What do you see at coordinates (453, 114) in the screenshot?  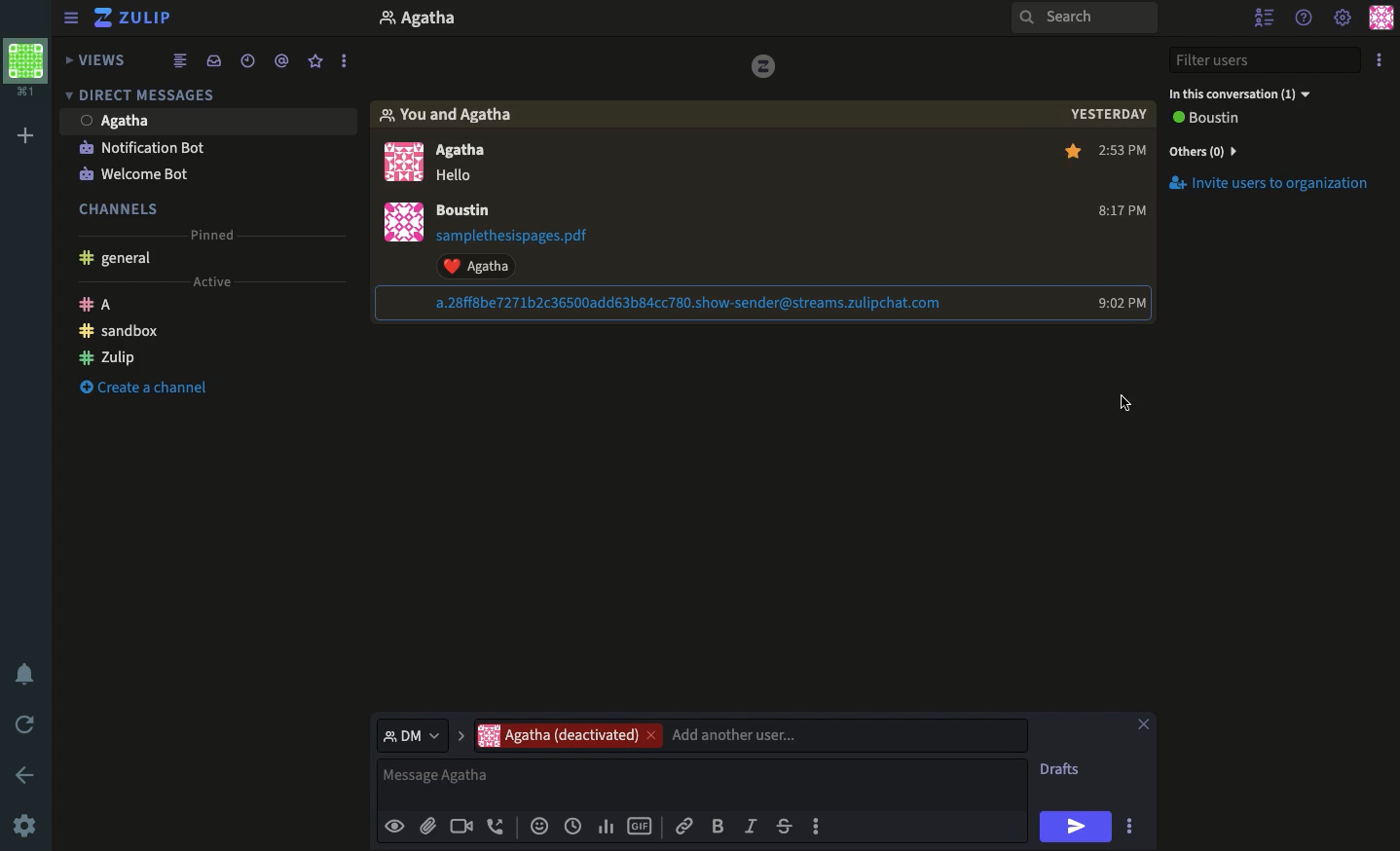 I see `You and user` at bounding box center [453, 114].